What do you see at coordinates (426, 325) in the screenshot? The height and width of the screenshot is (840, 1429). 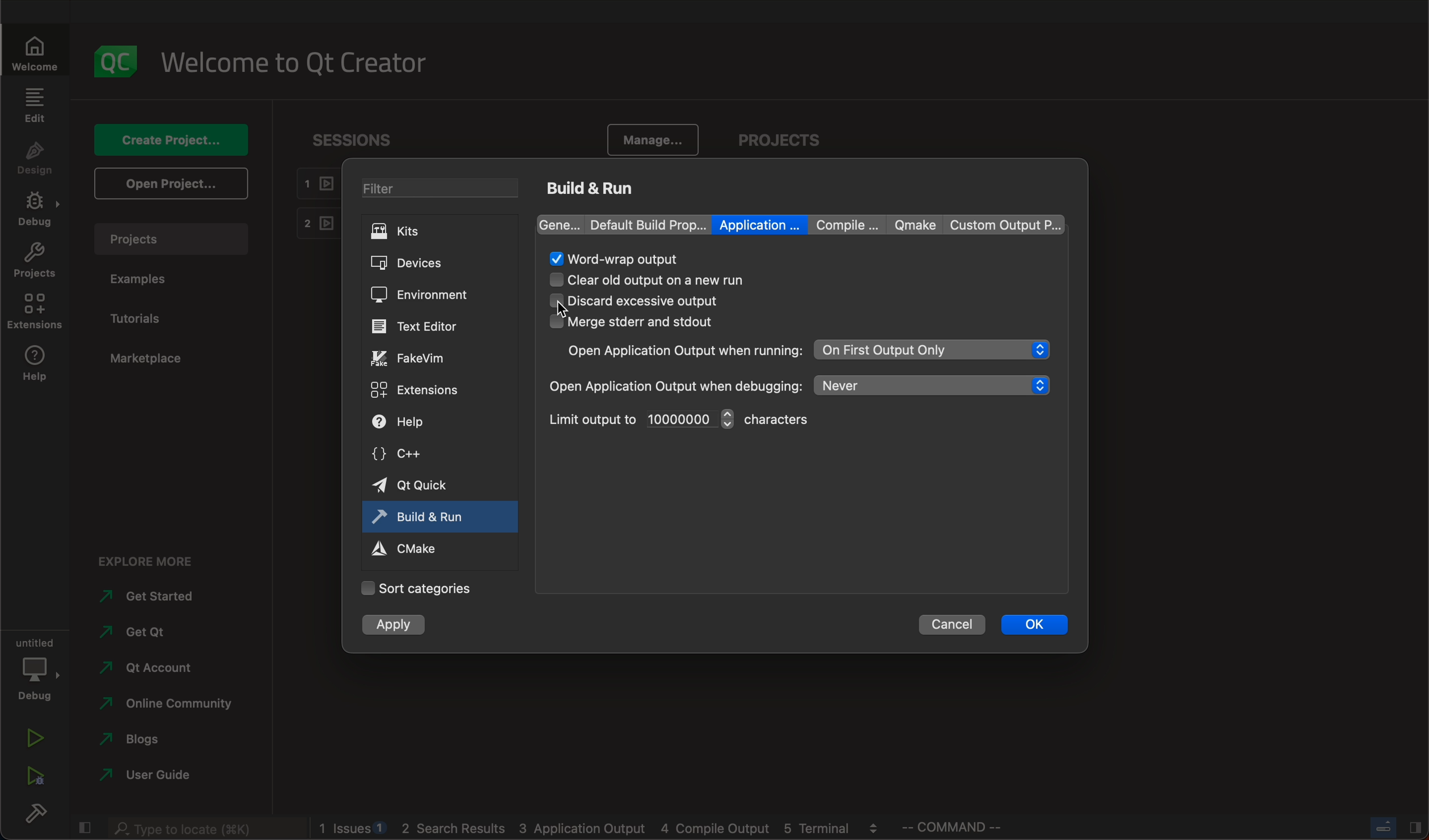 I see `editor` at bounding box center [426, 325].